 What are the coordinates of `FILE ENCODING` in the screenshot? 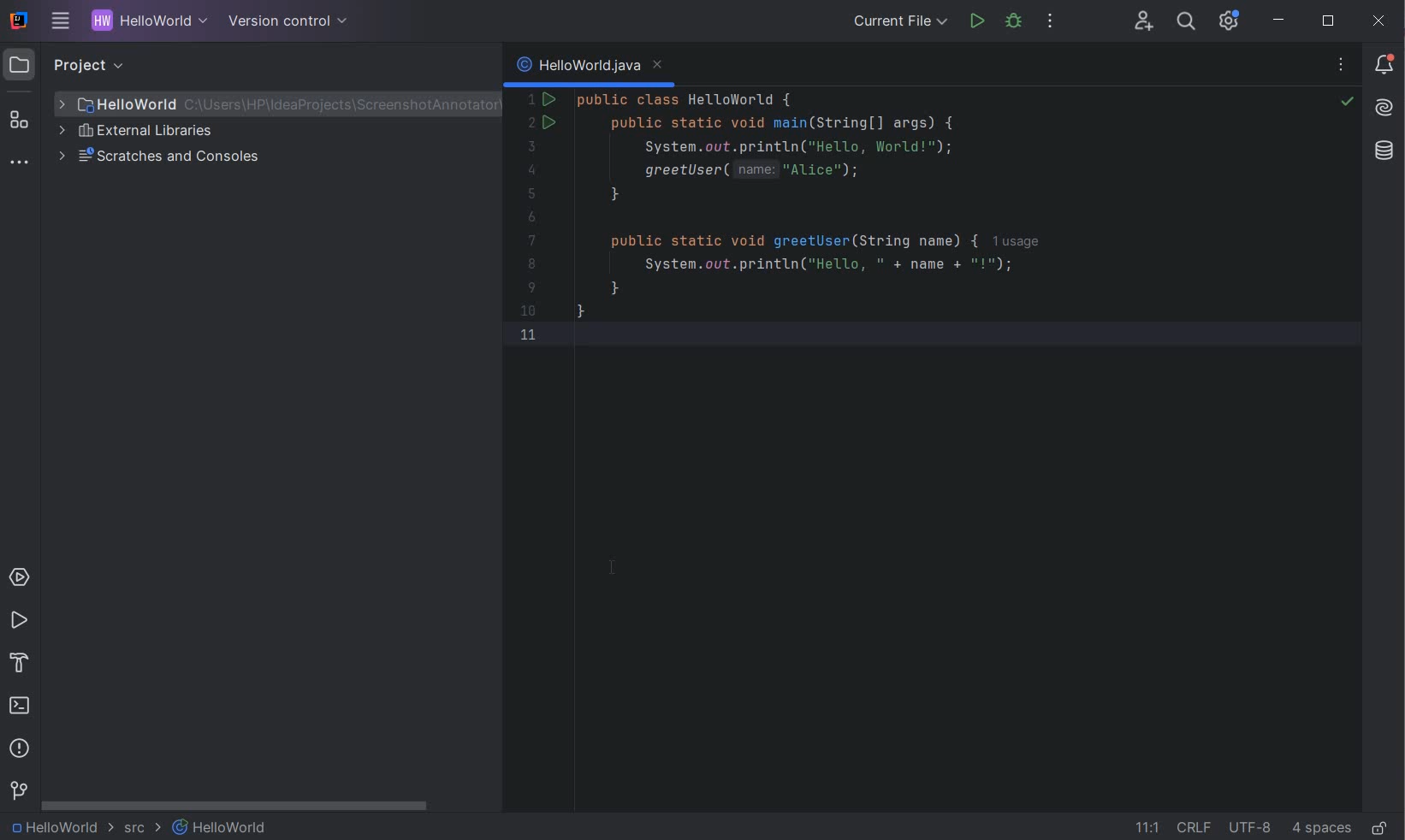 It's located at (1249, 826).